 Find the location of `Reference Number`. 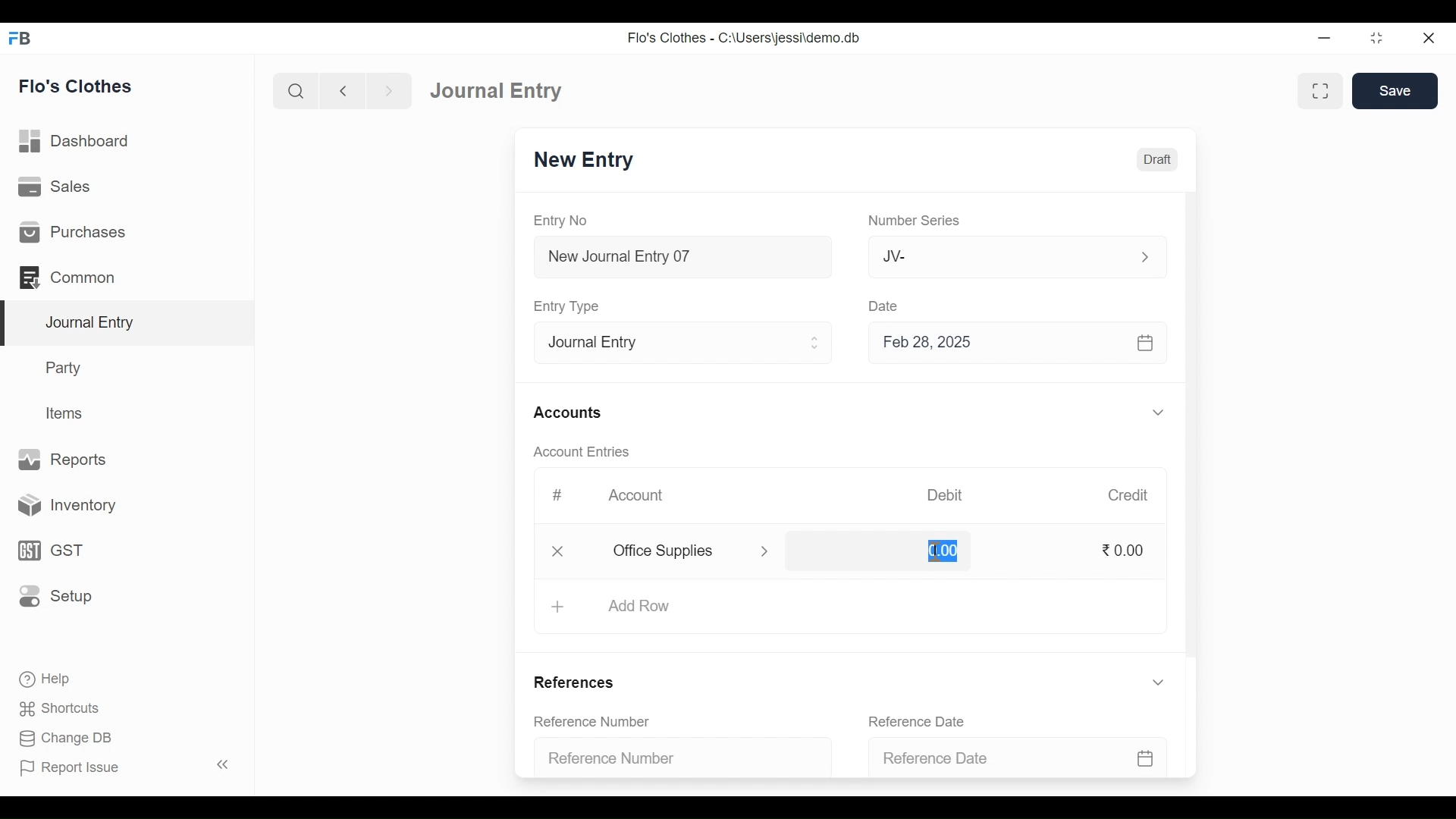

Reference Number is located at coordinates (672, 760).